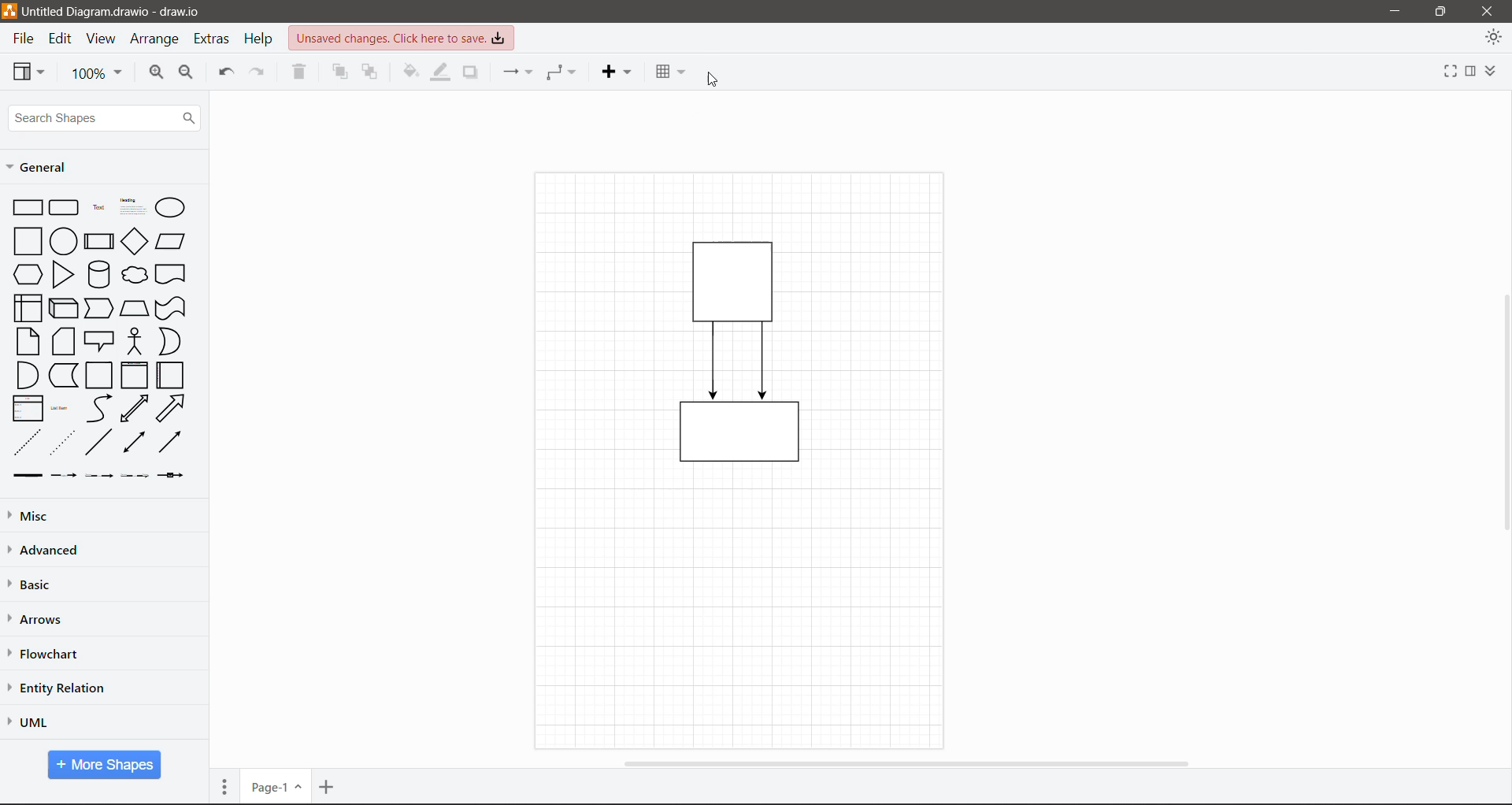  I want to click on General, so click(43, 167).